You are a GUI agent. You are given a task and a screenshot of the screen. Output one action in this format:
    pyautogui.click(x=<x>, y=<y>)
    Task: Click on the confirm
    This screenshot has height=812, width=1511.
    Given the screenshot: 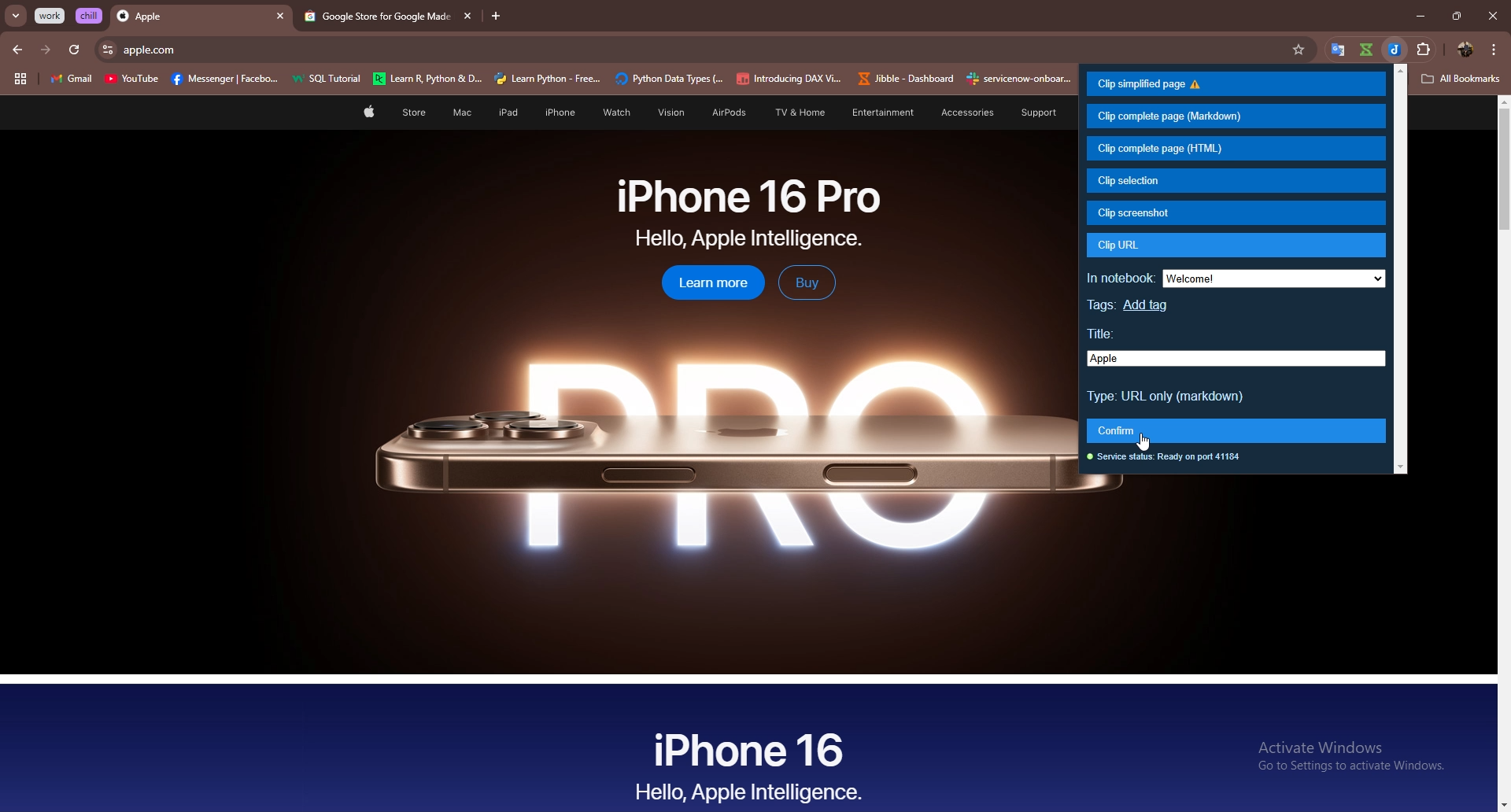 What is the action you would take?
    pyautogui.click(x=1237, y=430)
    